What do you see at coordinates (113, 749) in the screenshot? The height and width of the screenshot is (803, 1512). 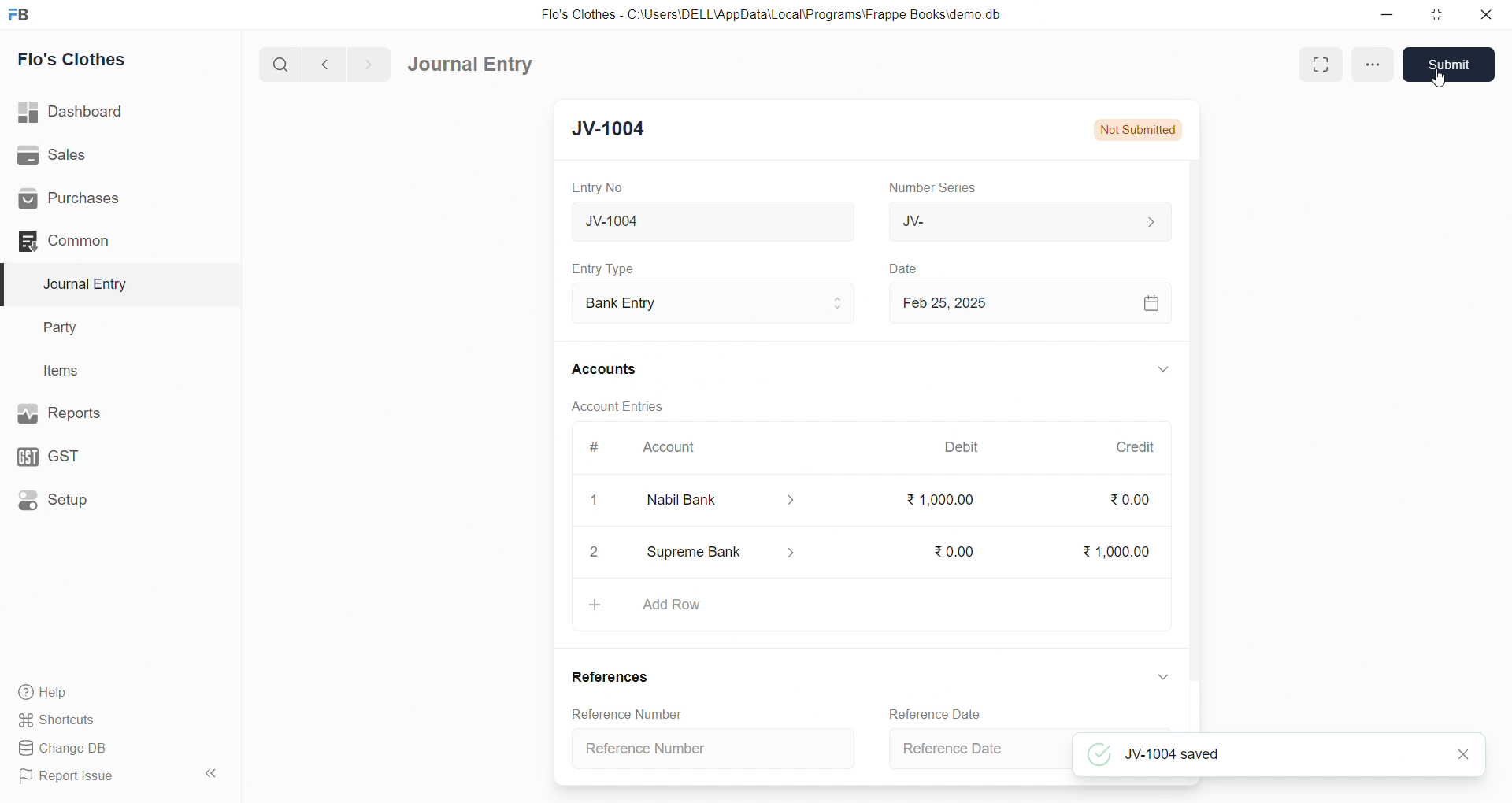 I see `Change DB` at bounding box center [113, 749].